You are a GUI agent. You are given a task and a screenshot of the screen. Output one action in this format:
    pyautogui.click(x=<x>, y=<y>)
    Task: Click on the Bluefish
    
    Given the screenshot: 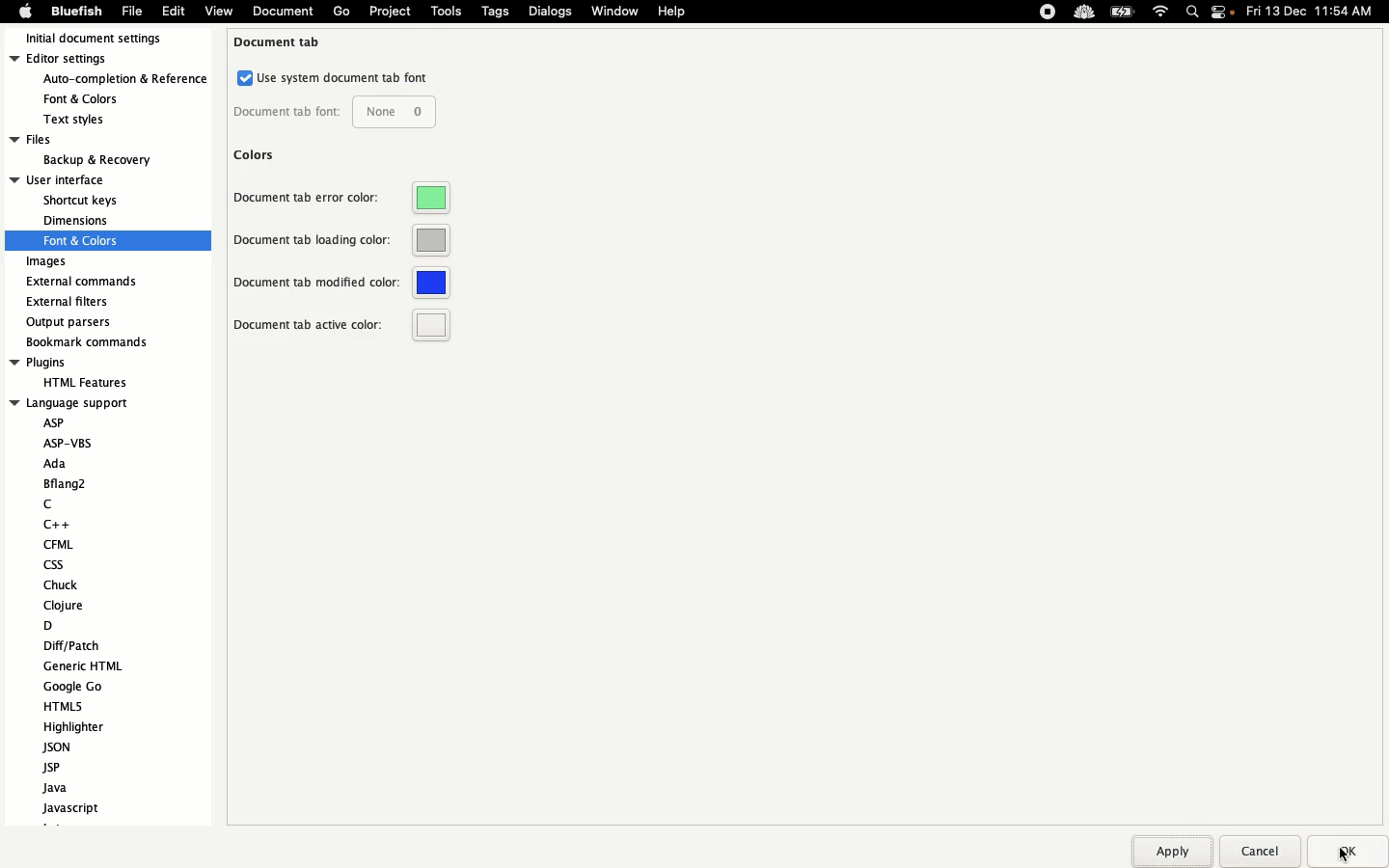 What is the action you would take?
    pyautogui.click(x=73, y=12)
    